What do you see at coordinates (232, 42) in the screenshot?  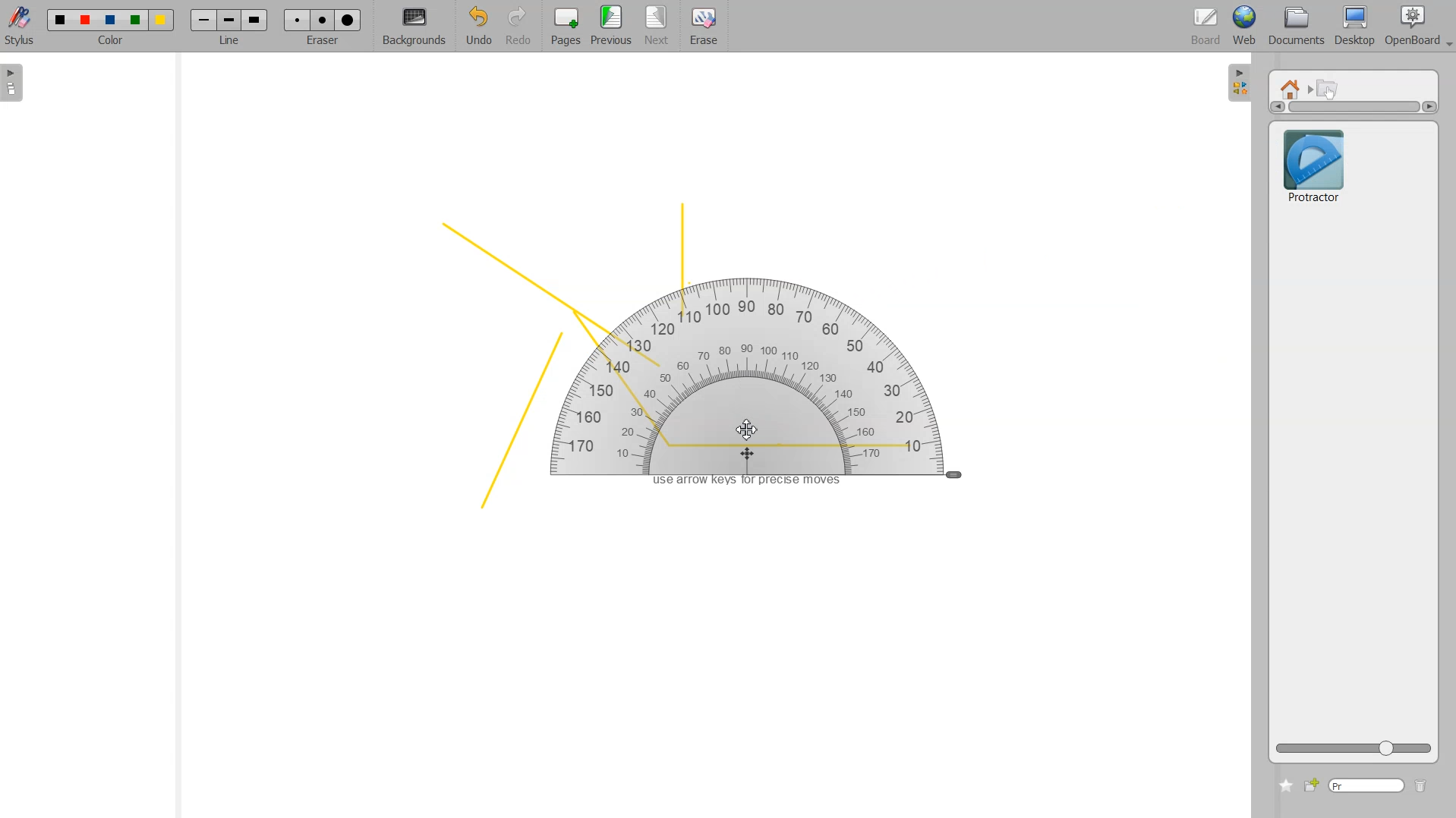 I see `line` at bounding box center [232, 42].